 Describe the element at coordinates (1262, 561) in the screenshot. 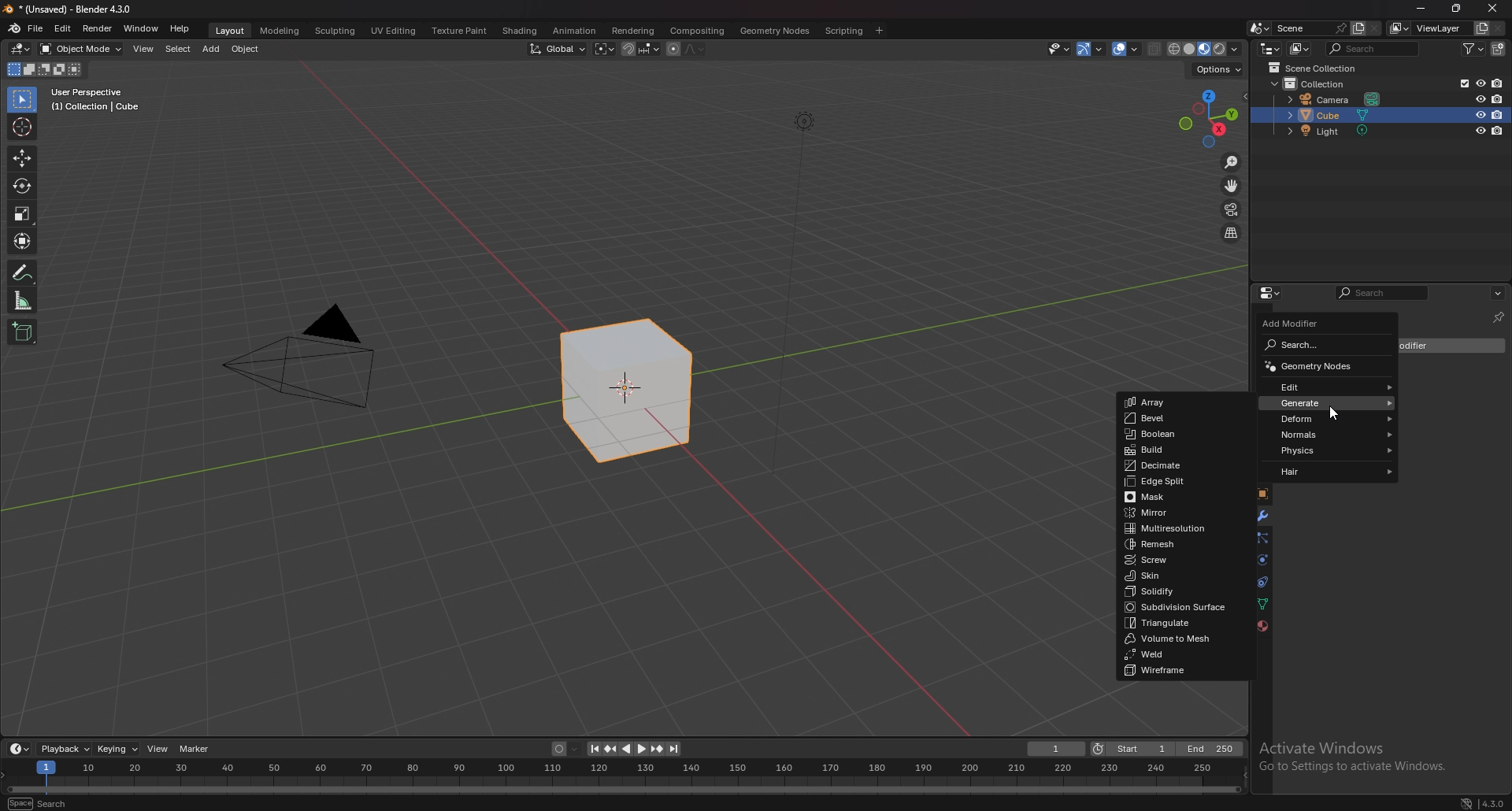

I see `physics` at that location.